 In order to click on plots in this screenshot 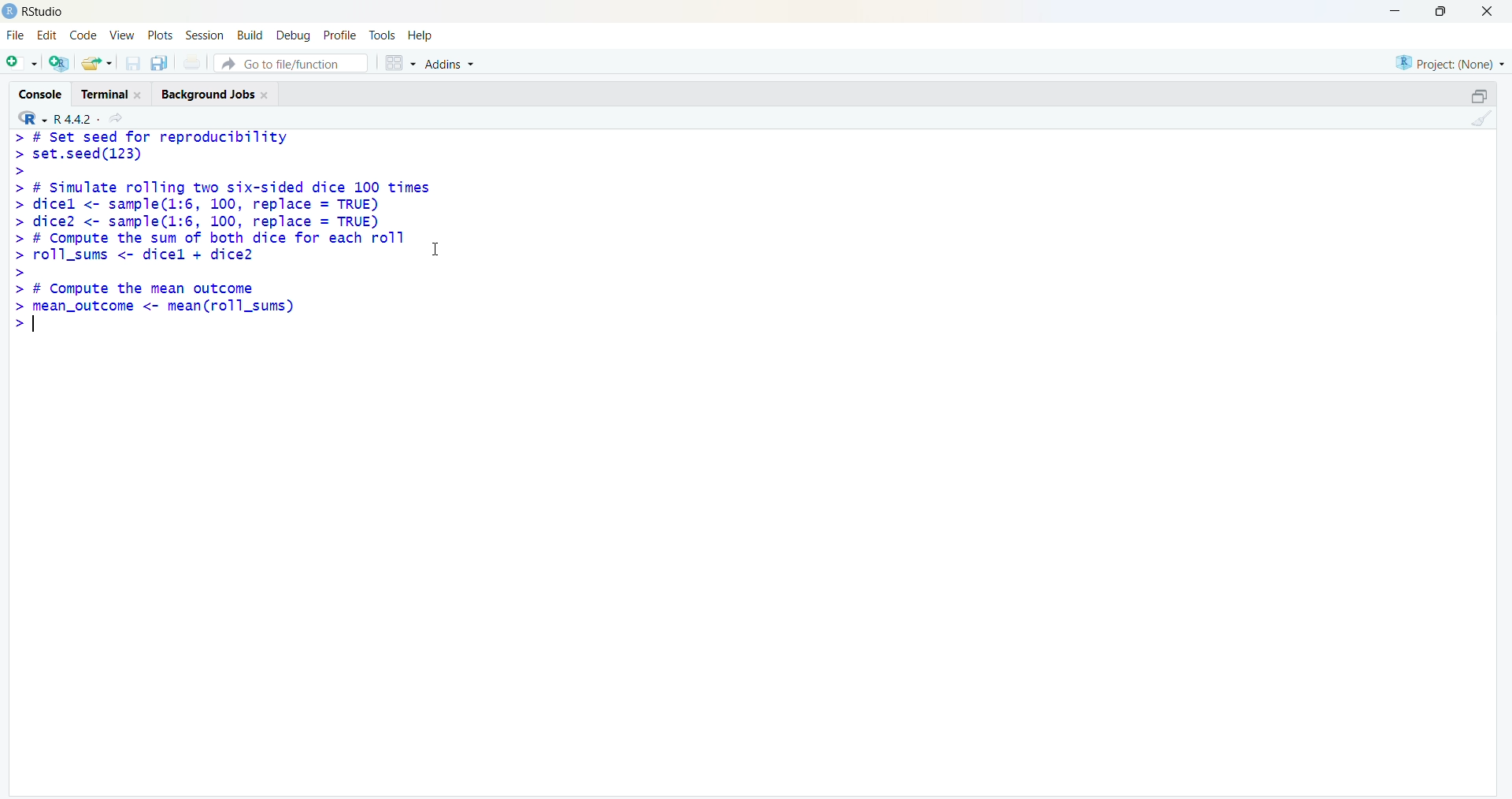, I will do `click(161, 34)`.